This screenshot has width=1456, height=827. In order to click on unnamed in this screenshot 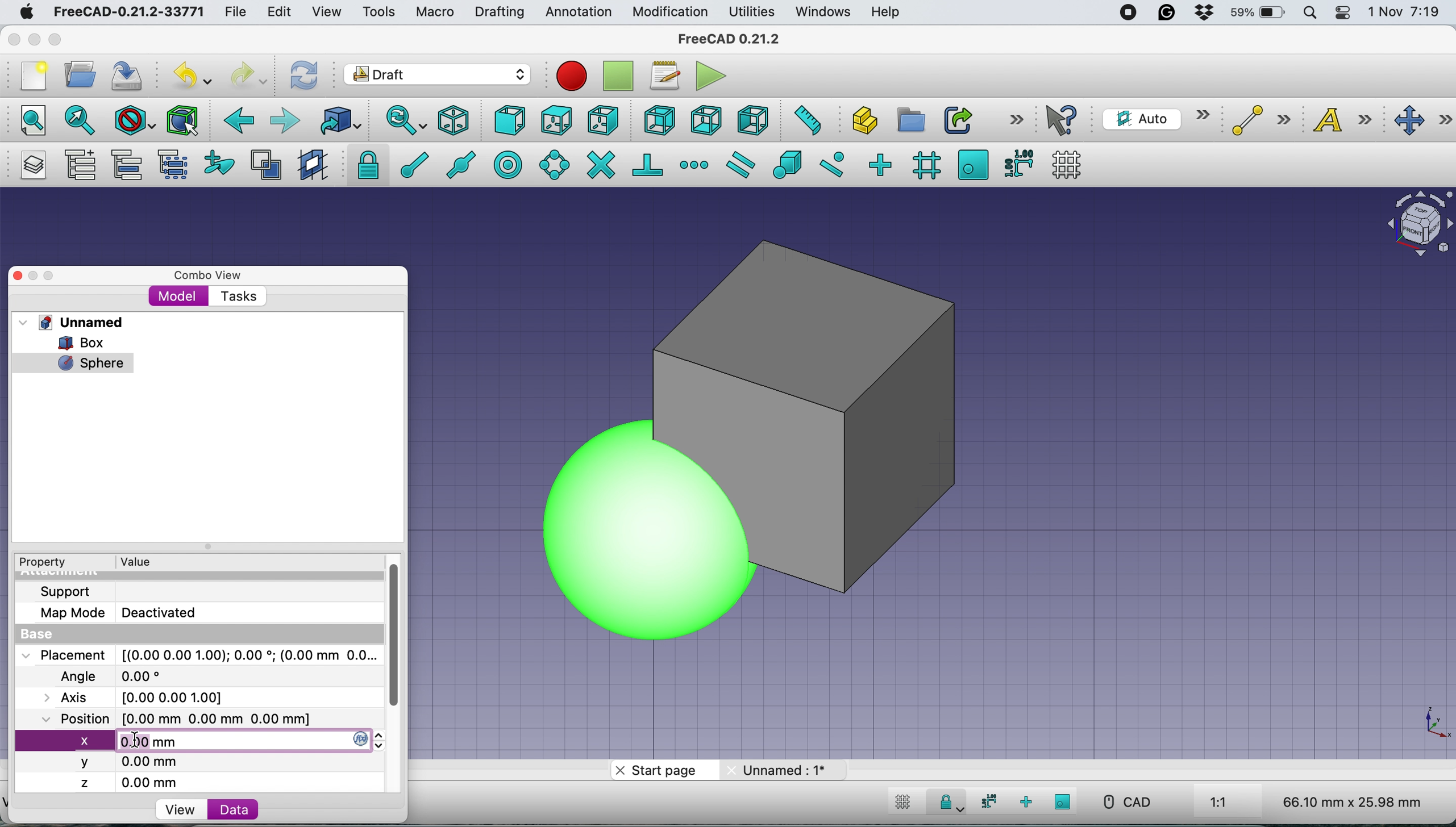, I will do `click(76, 322)`.